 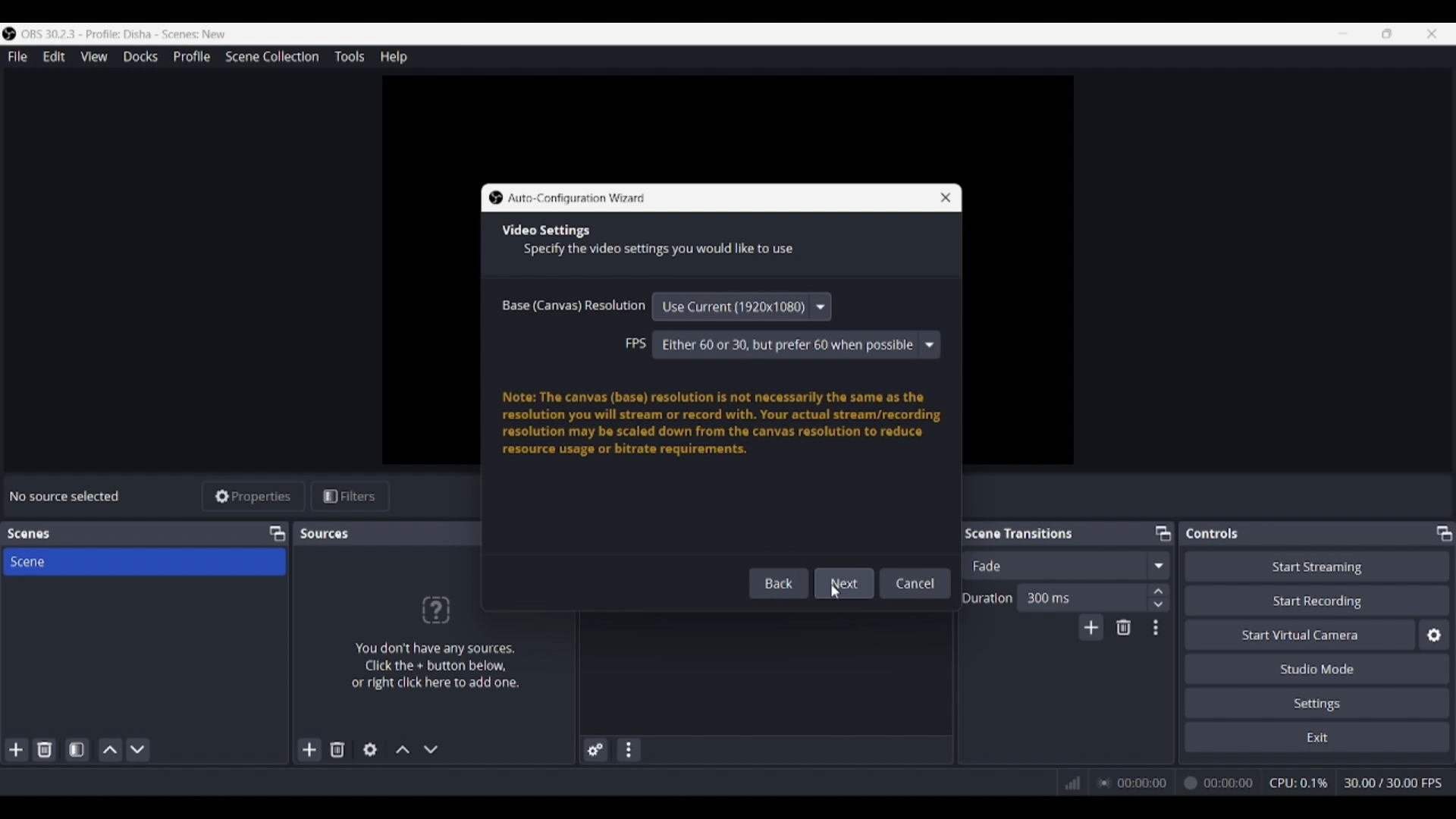 What do you see at coordinates (53, 57) in the screenshot?
I see `Edit menu` at bounding box center [53, 57].